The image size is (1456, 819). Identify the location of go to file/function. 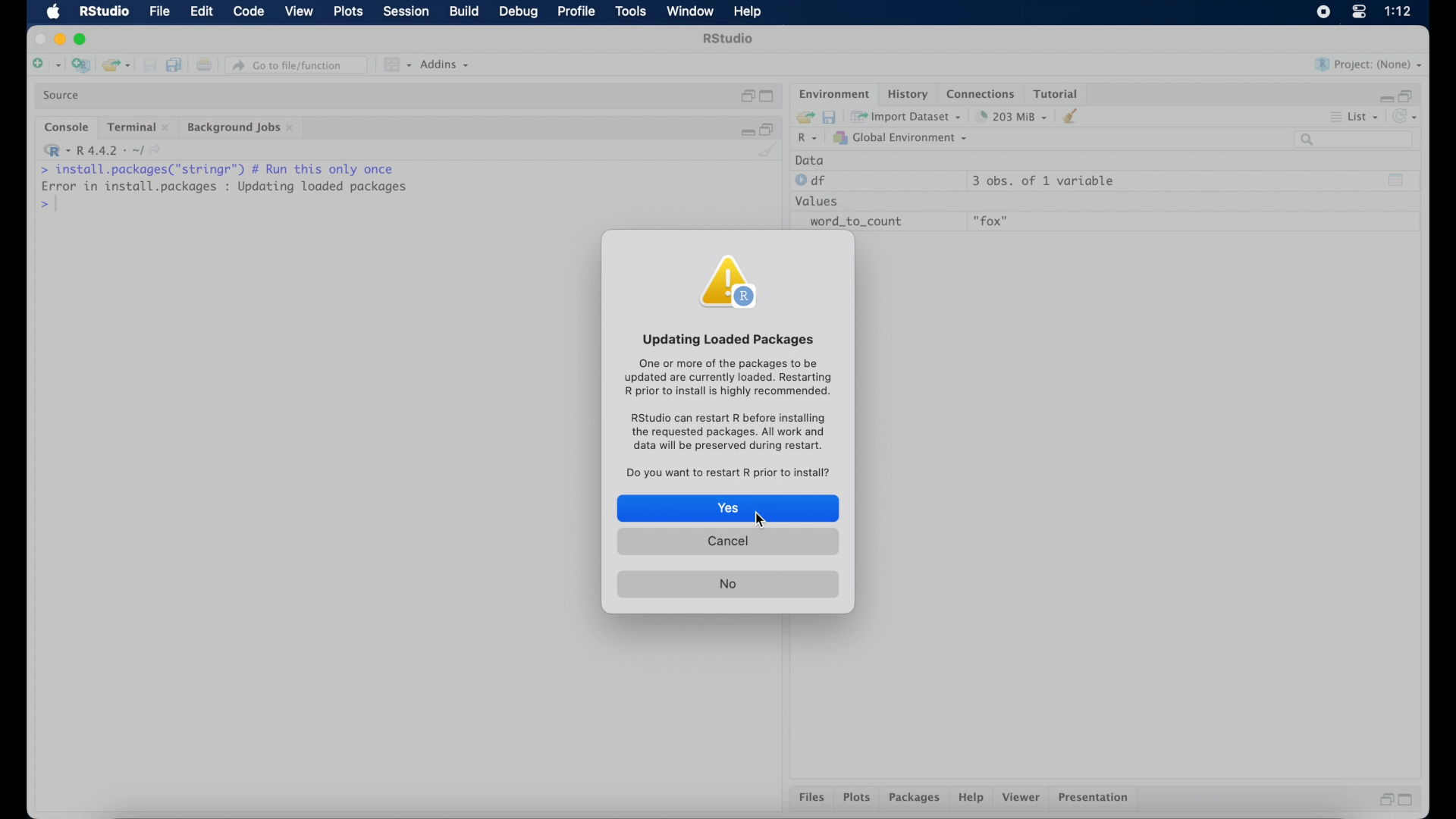
(300, 65).